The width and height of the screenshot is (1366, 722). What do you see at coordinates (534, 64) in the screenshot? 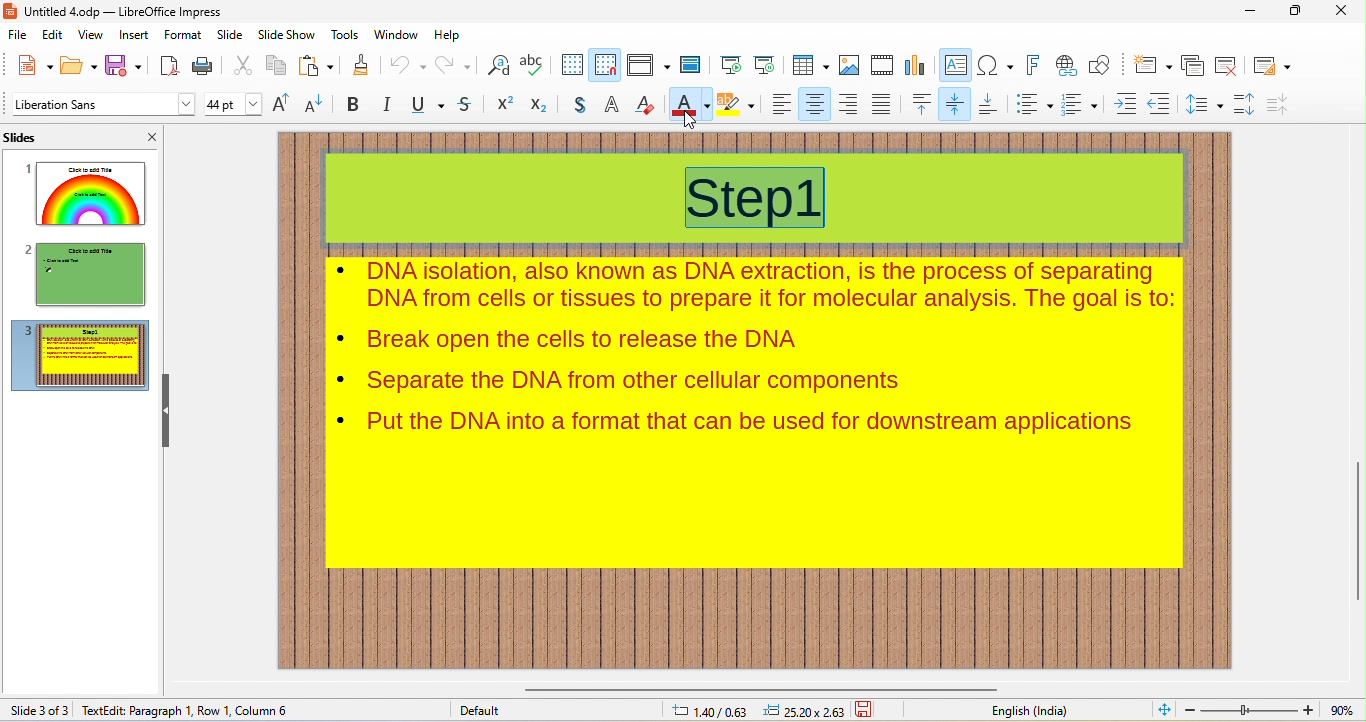
I see `spelling` at bounding box center [534, 64].